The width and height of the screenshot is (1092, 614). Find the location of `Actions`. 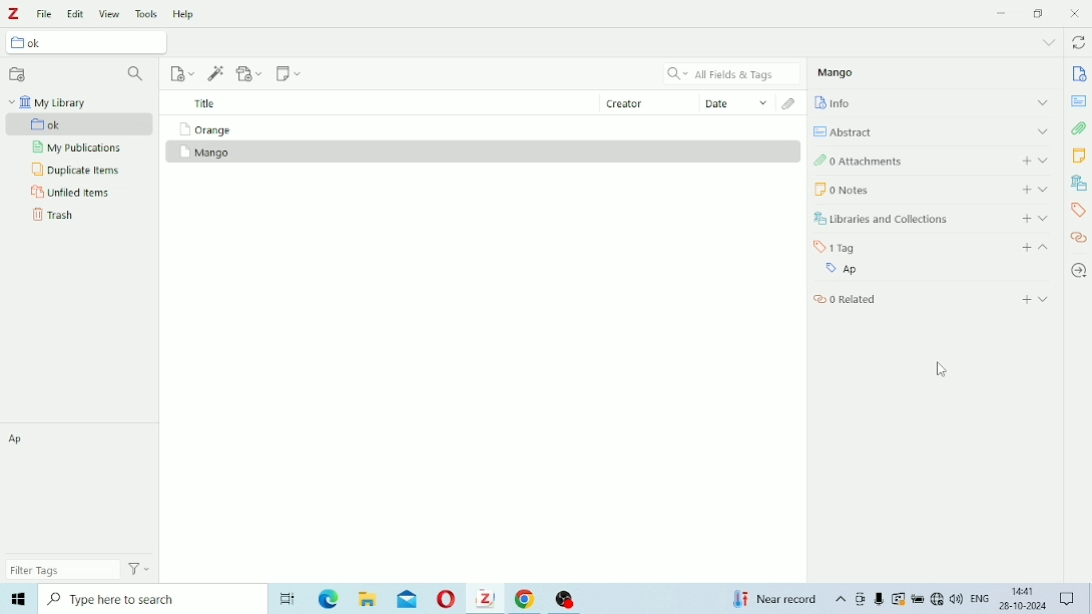

Actions is located at coordinates (138, 569).